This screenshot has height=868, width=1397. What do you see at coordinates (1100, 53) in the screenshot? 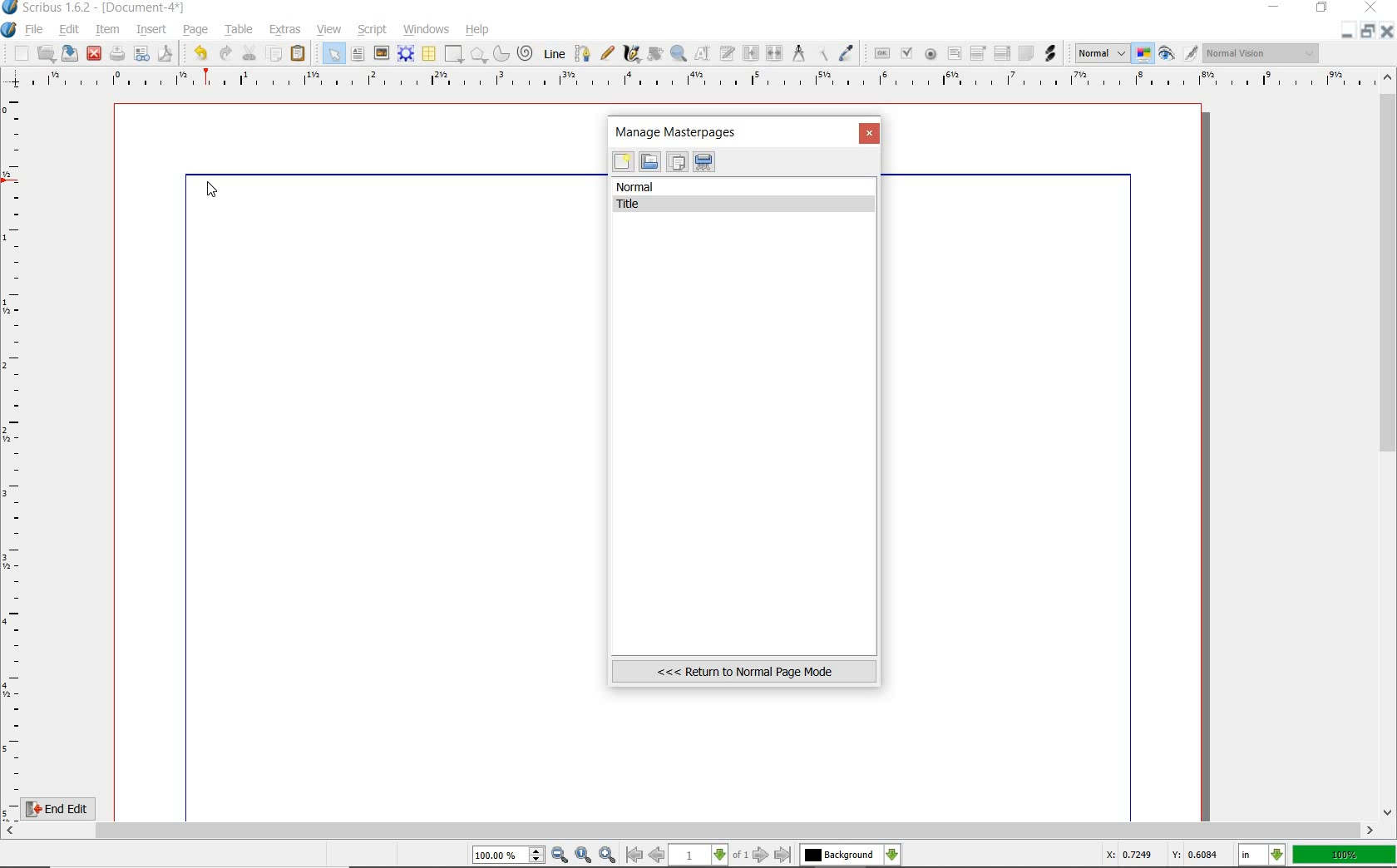
I see `Normal` at bounding box center [1100, 53].